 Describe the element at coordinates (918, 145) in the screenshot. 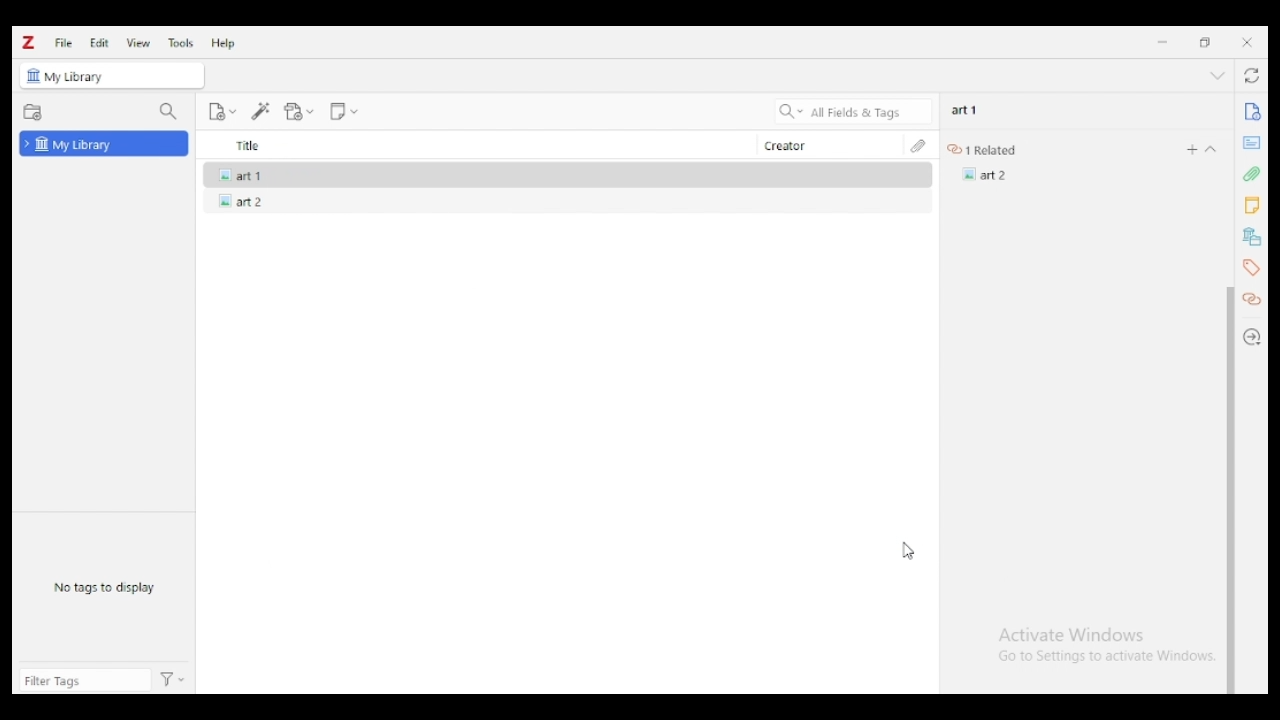

I see `attachments` at that location.